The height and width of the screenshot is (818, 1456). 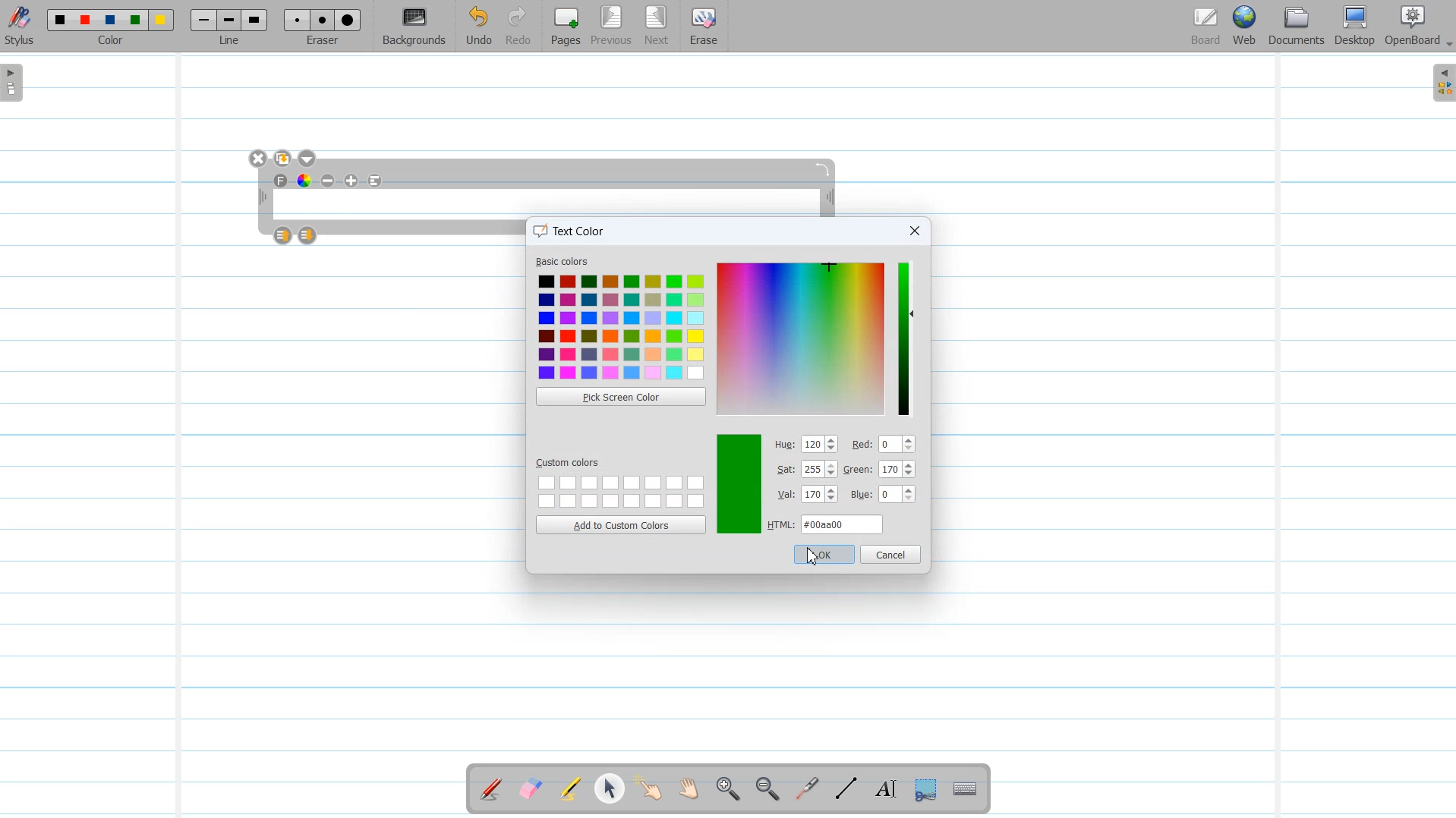 I want to click on Color shades, so click(x=802, y=338).